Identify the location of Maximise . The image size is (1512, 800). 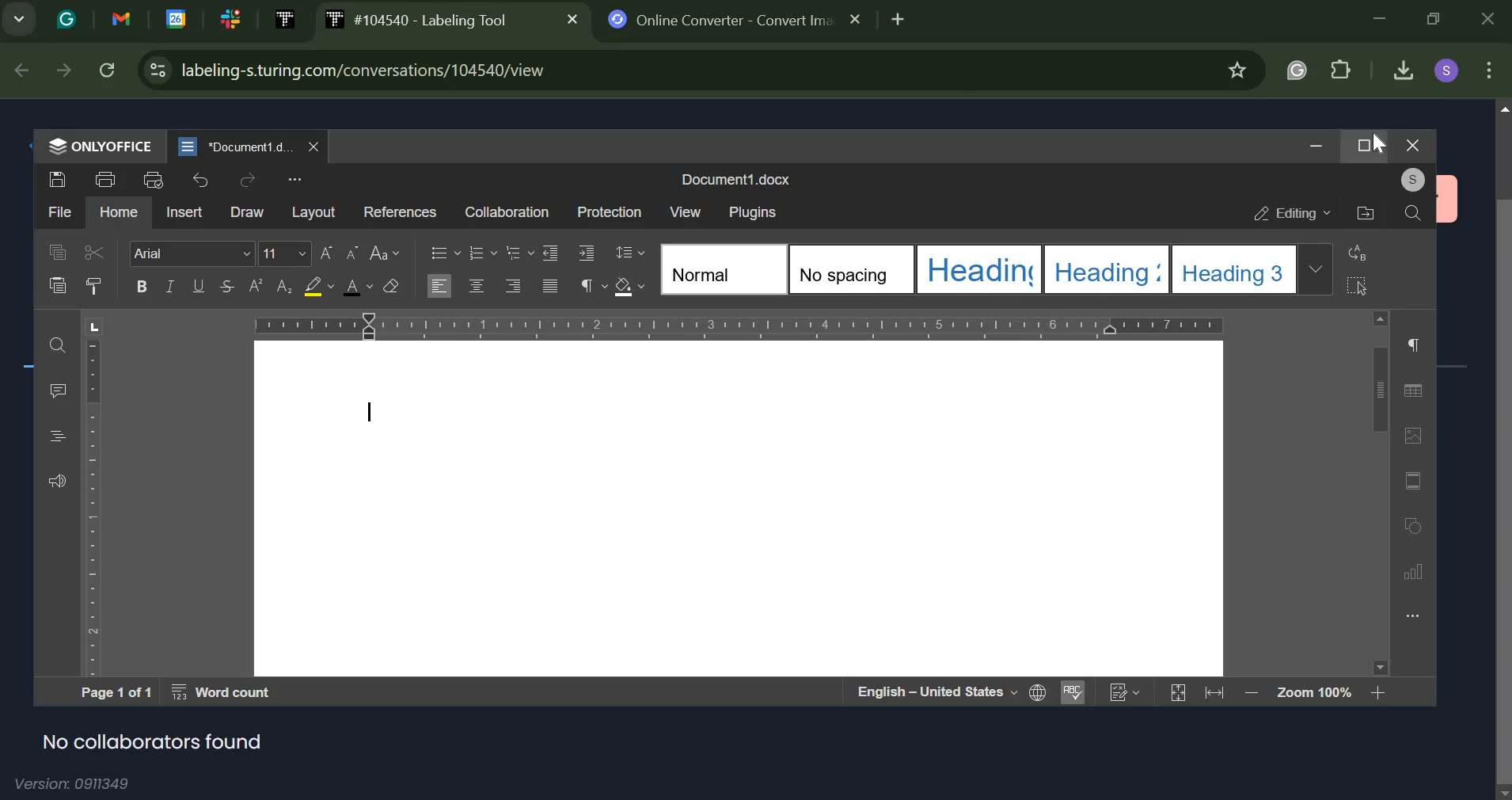
(1437, 18).